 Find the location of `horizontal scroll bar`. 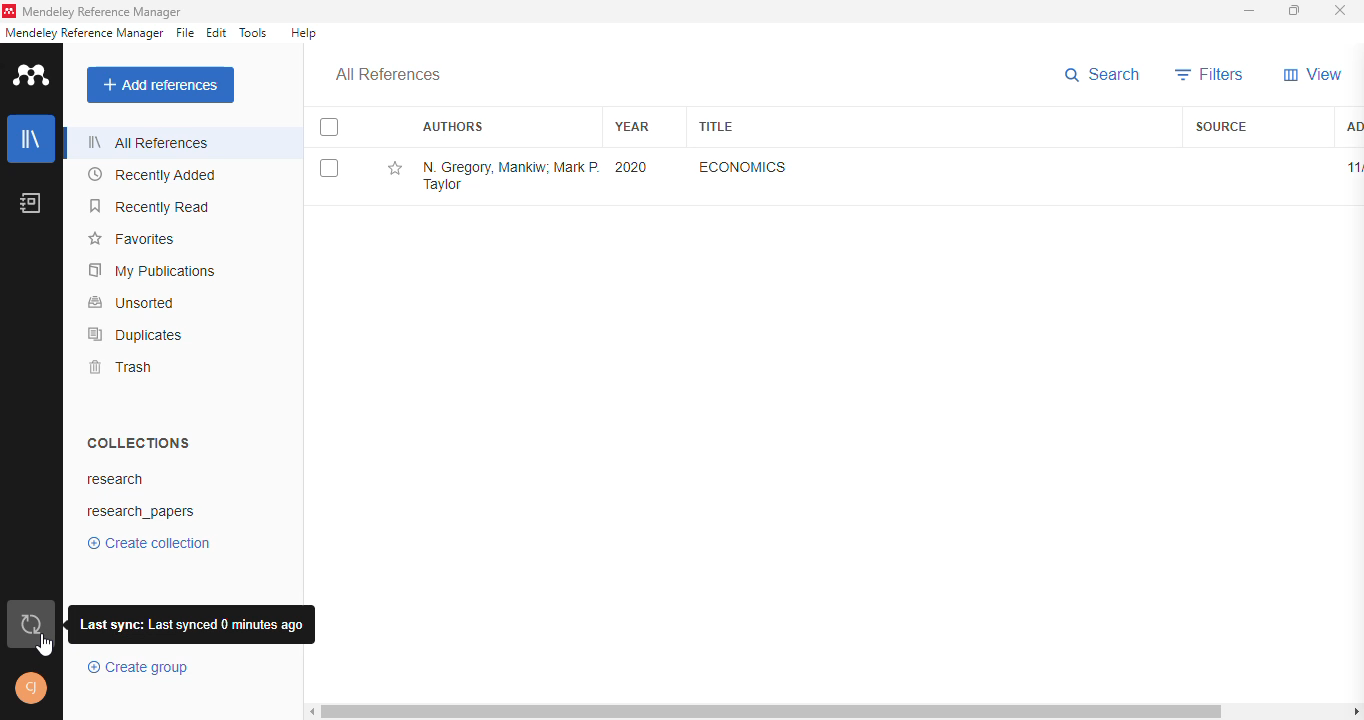

horizontal scroll bar is located at coordinates (772, 711).